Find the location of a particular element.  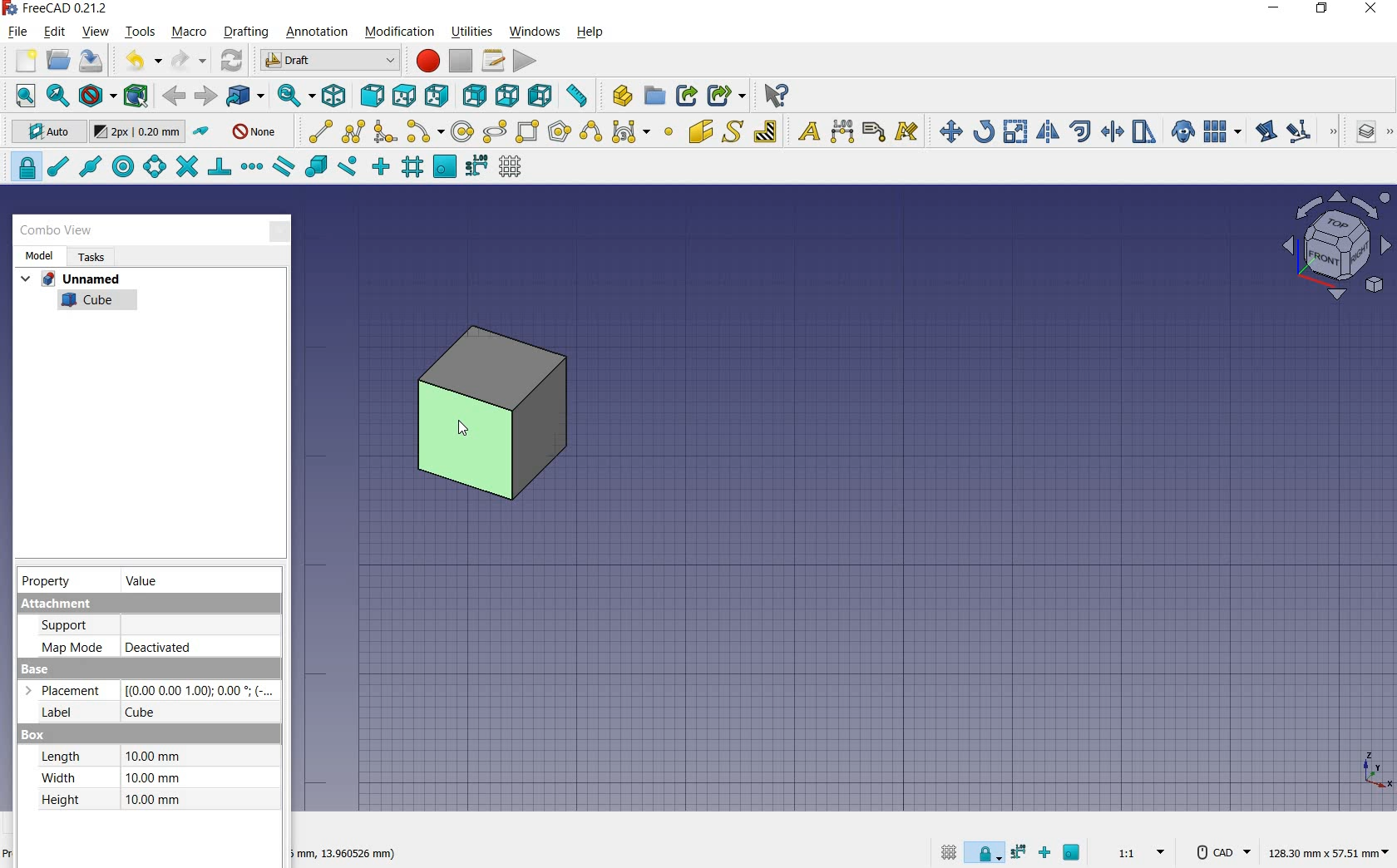

facebinder is located at coordinates (699, 131).